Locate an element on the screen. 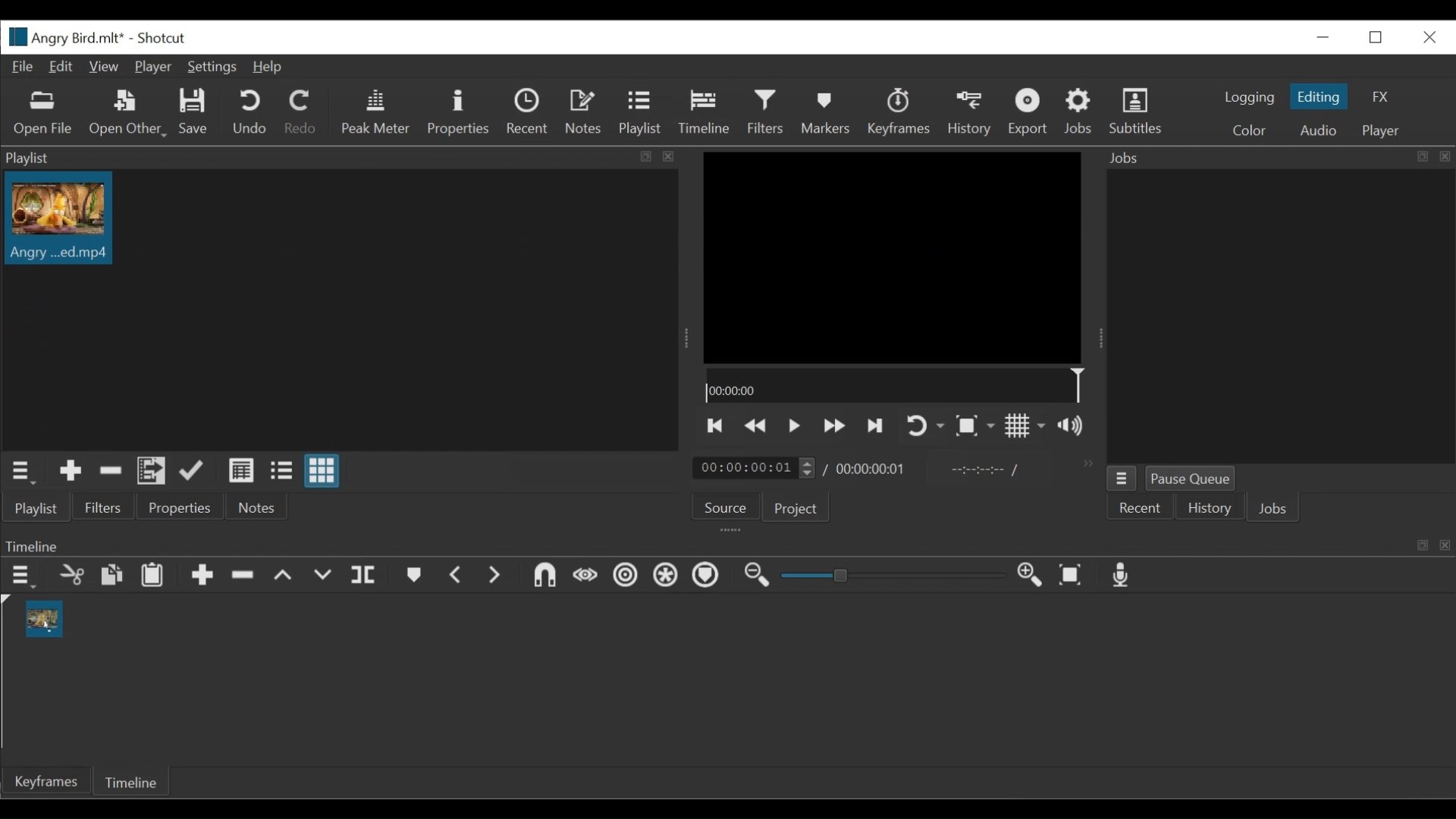 This screenshot has height=819, width=1456. Toggle player on looping is located at coordinates (927, 426).